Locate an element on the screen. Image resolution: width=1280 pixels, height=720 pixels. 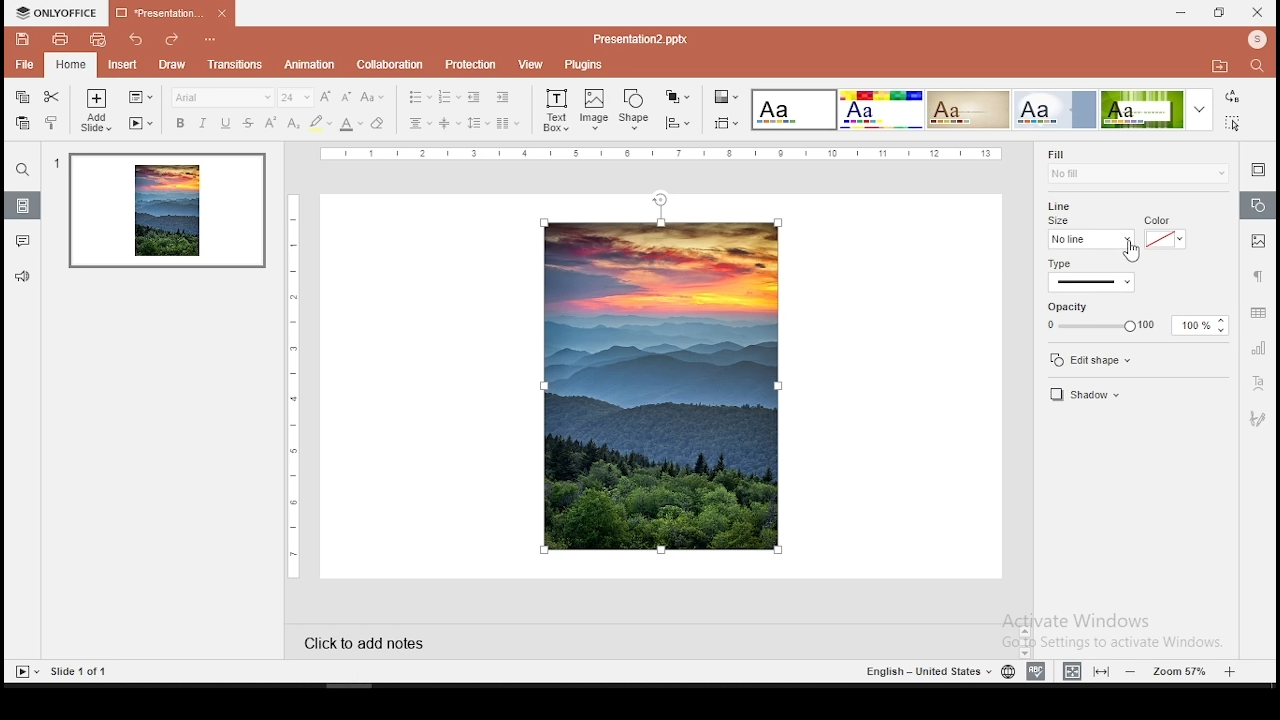
protection is located at coordinates (472, 66).